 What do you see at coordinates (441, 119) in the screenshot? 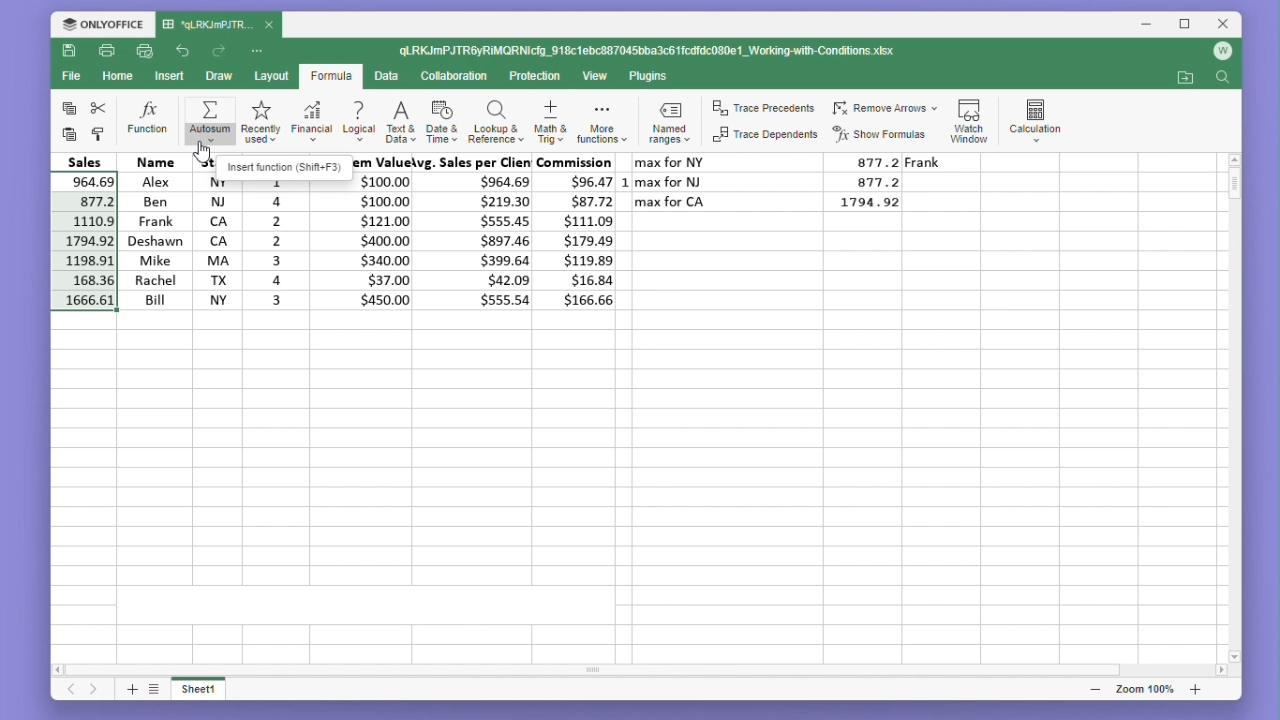
I see `Date and time` at bounding box center [441, 119].